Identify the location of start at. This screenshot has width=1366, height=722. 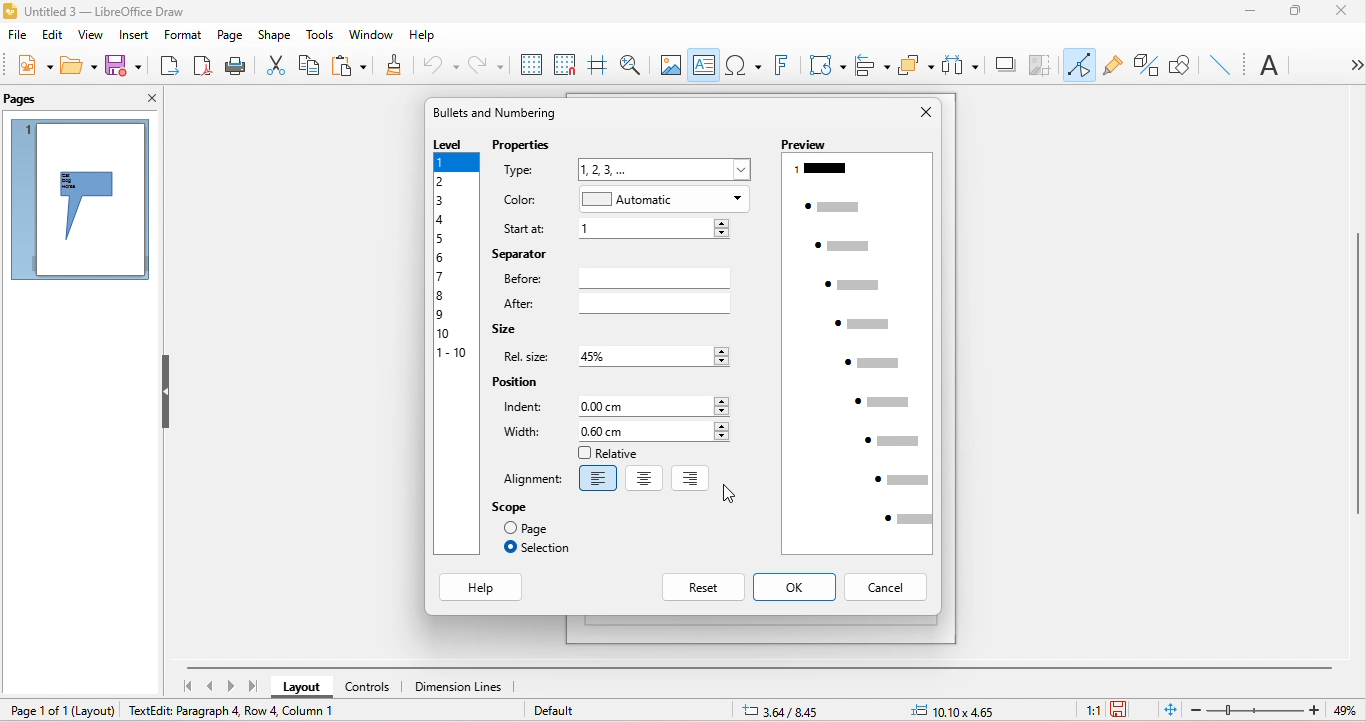
(528, 232).